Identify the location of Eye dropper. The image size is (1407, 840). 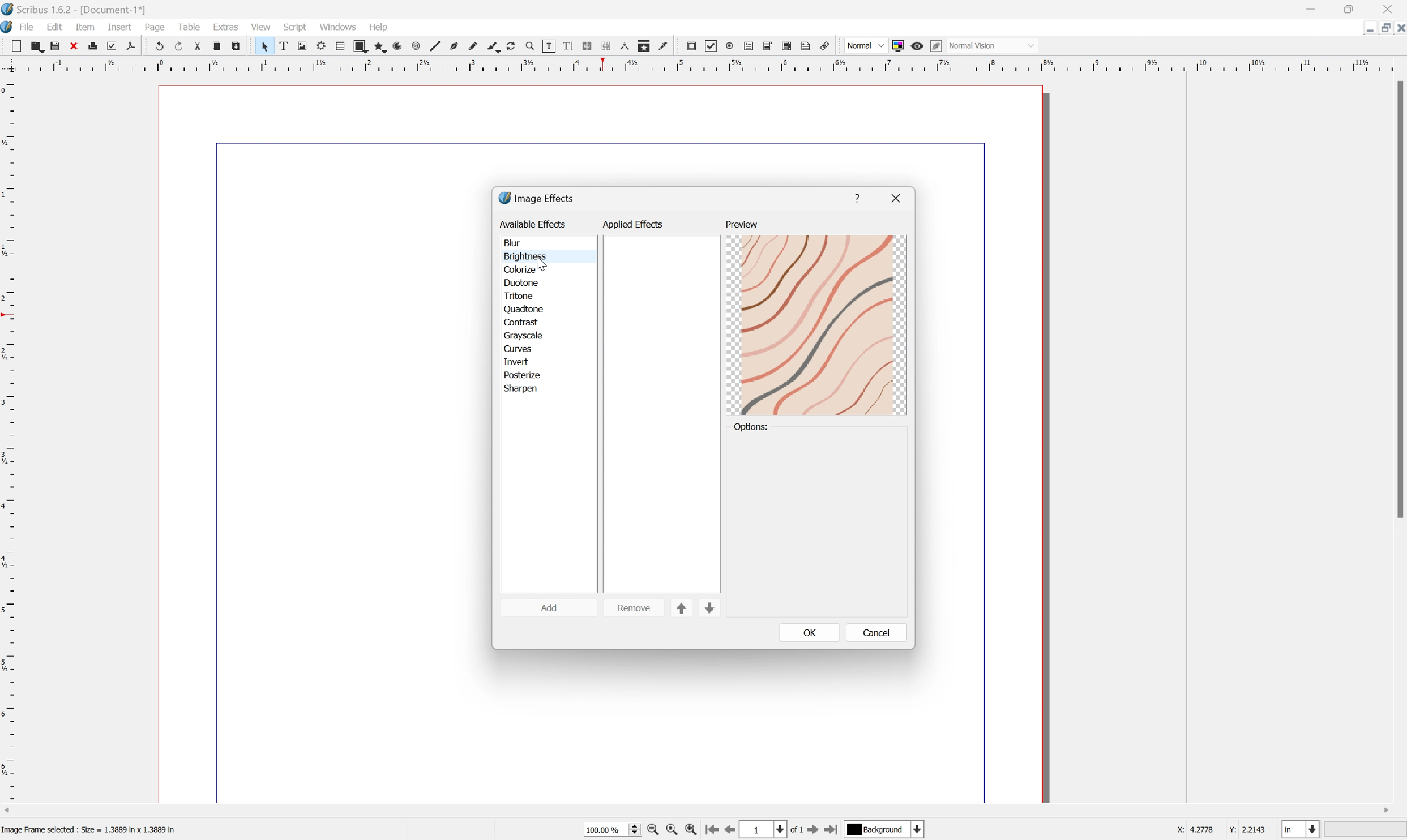
(667, 48).